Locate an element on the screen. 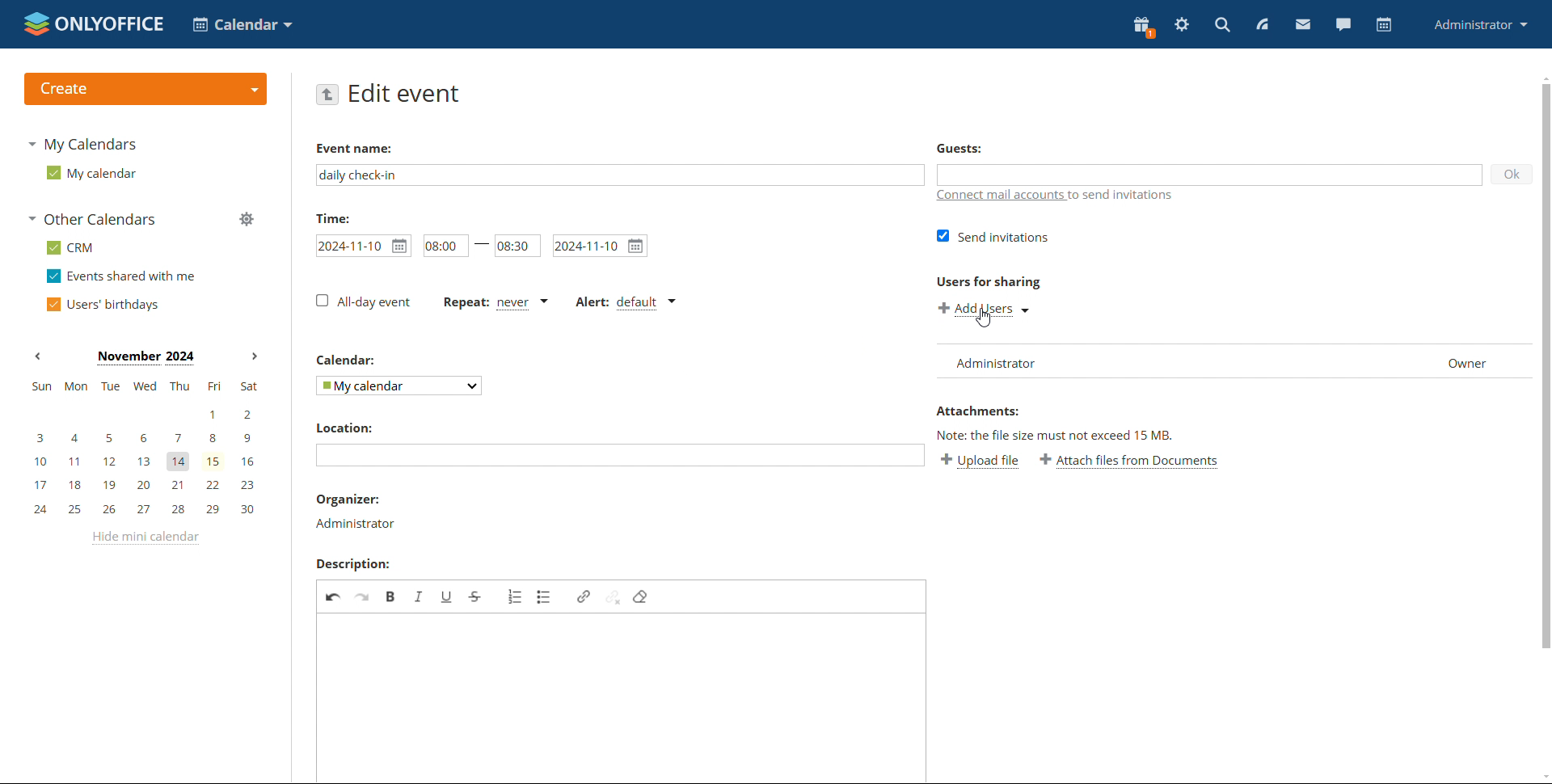  location: is located at coordinates (344, 428).